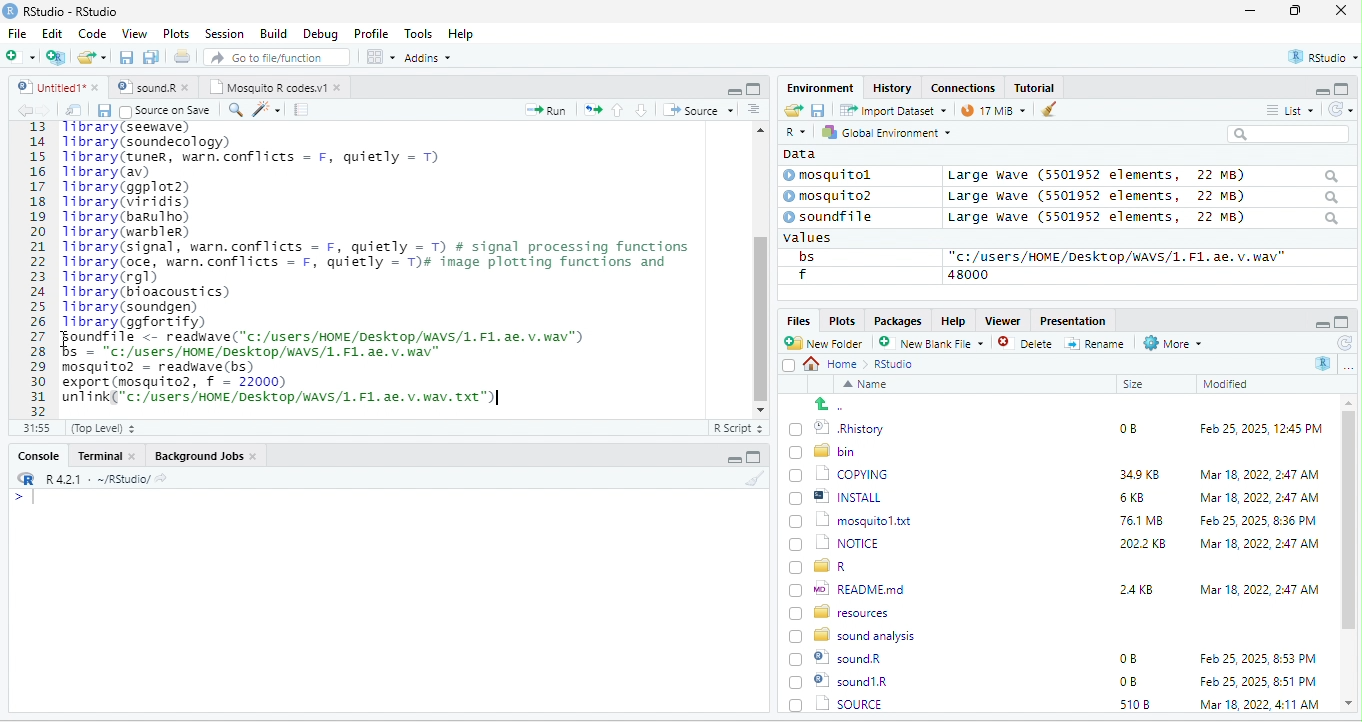  Describe the element at coordinates (1071, 320) in the screenshot. I see `Presentation` at that location.